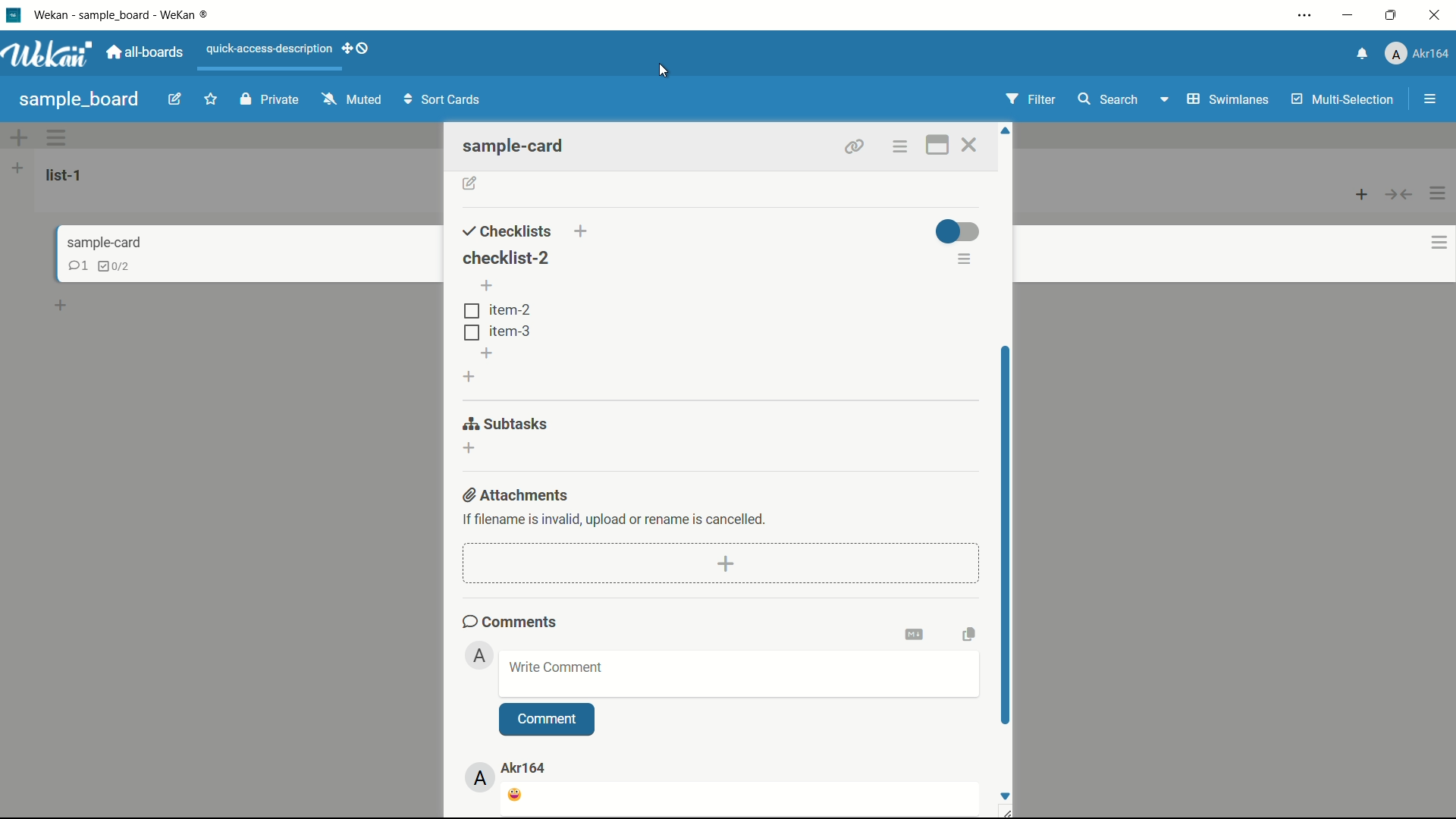 This screenshot has width=1456, height=819. I want to click on add subtasks, so click(470, 448).